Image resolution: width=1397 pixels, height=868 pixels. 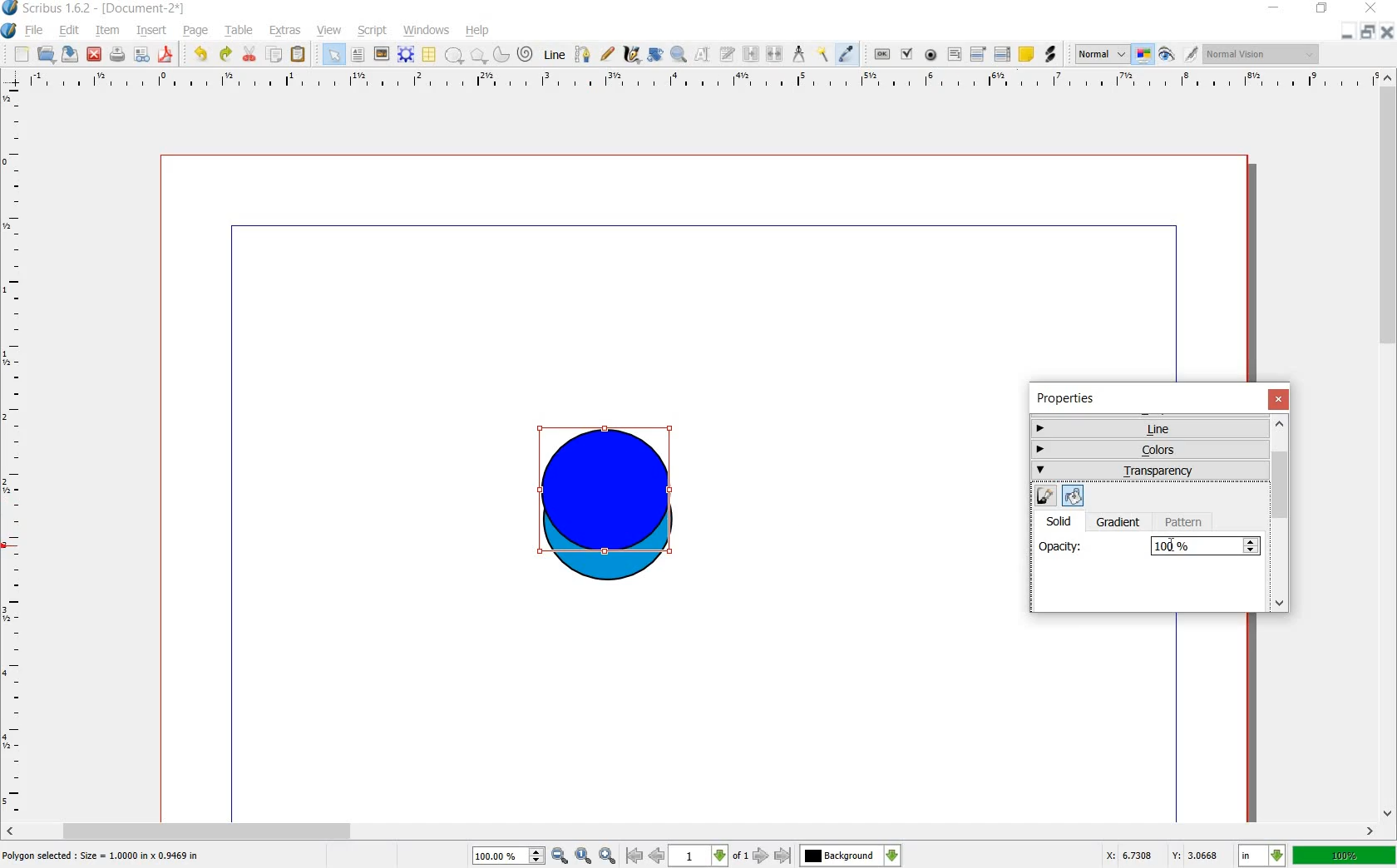 I want to click on script, so click(x=373, y=31).